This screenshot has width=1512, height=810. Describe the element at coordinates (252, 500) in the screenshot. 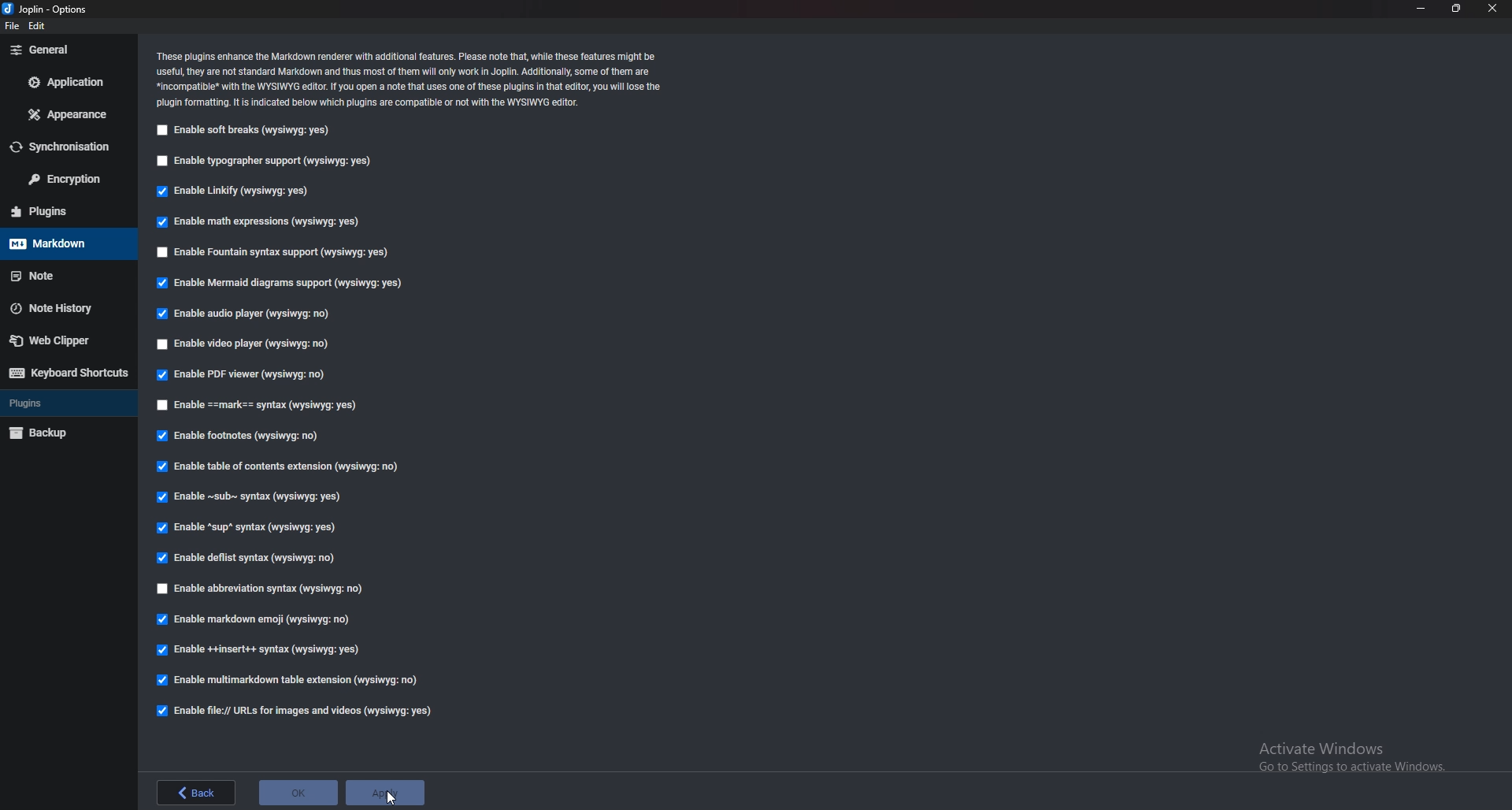

I see `Enable sub syntax` at that location.